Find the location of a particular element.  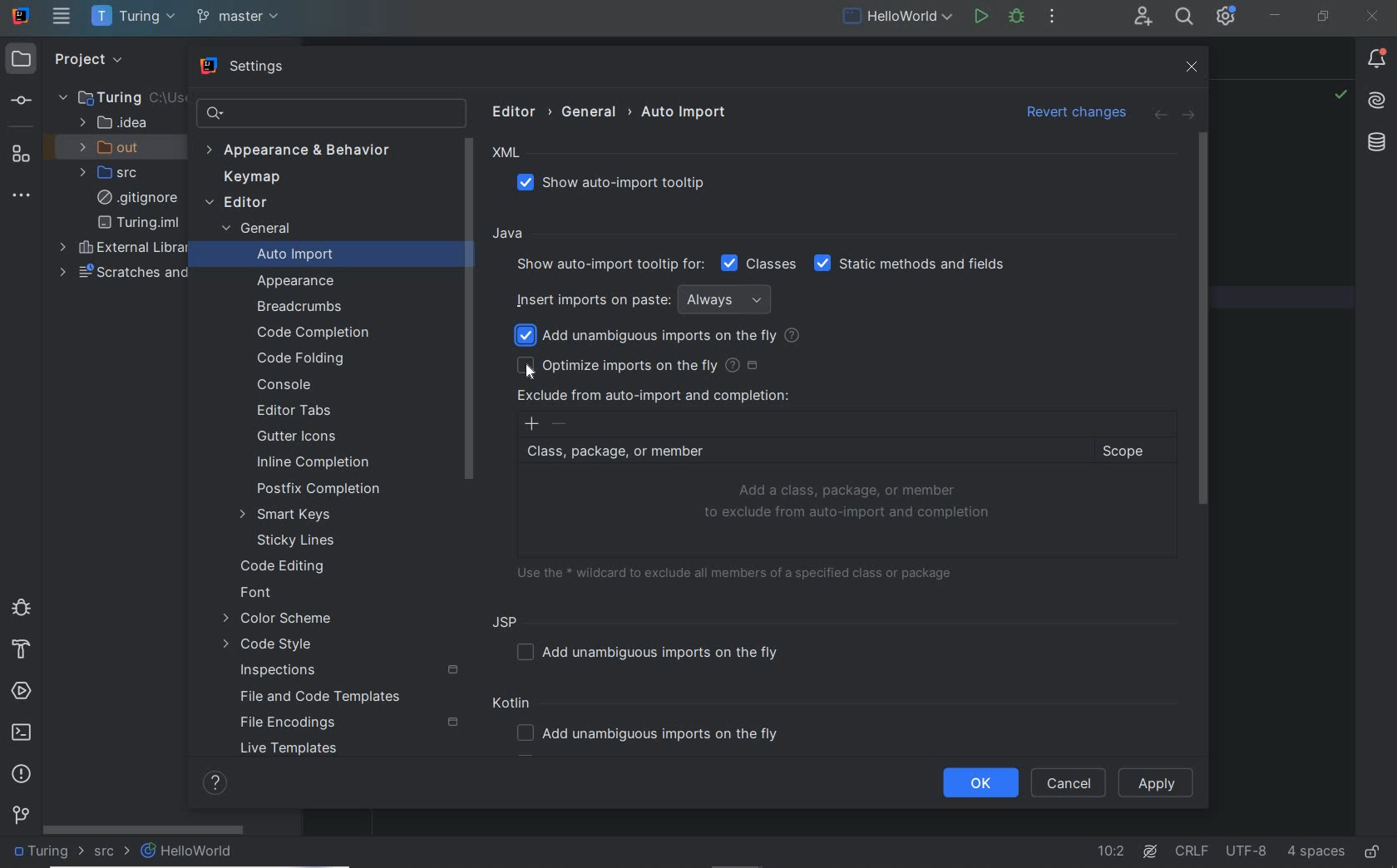

ADD A CLASS, PACKGAGE, OR MEMBER INFORMATION is located at coordinates (850, 502).